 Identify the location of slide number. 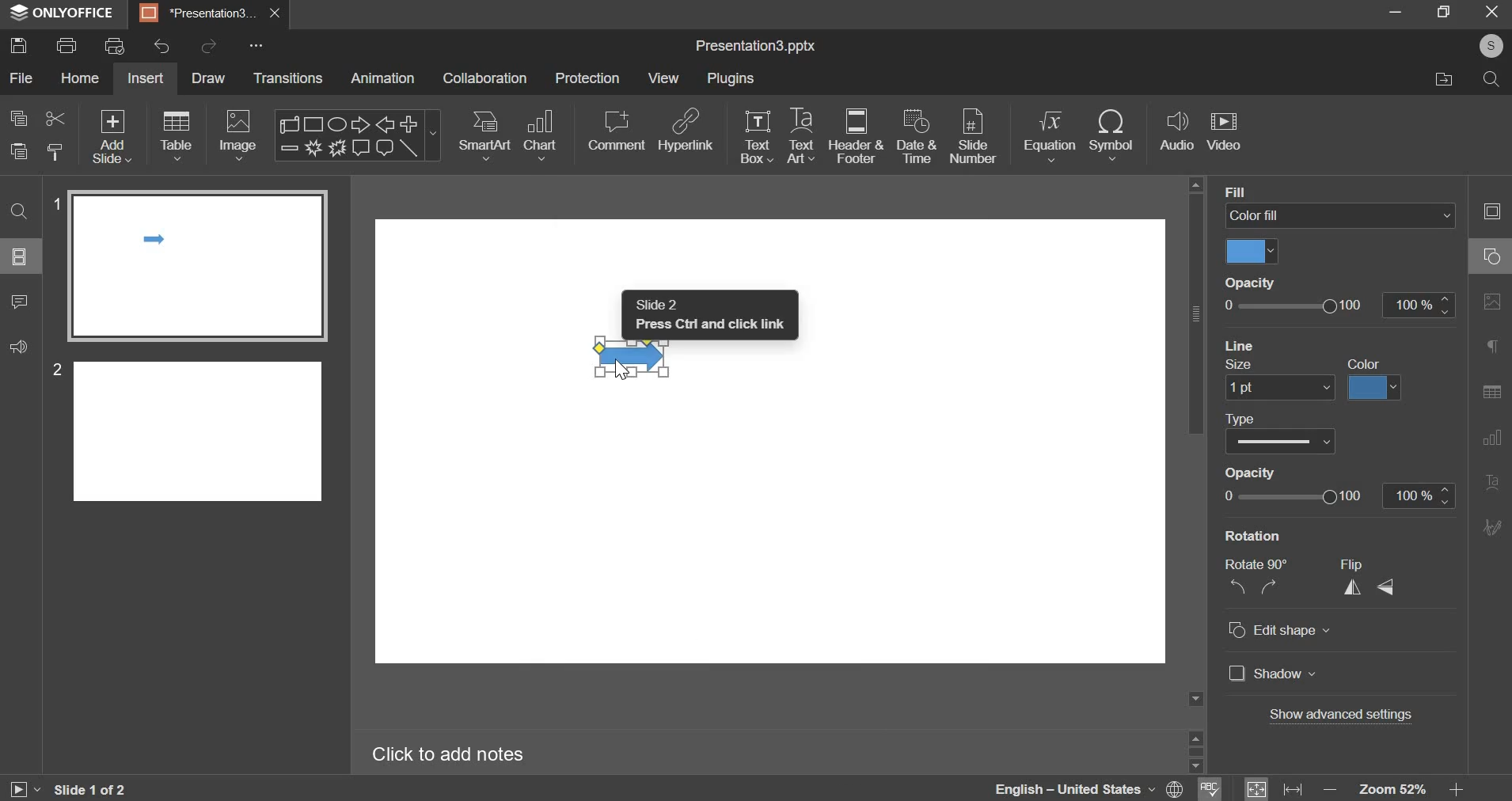
(53, 369).